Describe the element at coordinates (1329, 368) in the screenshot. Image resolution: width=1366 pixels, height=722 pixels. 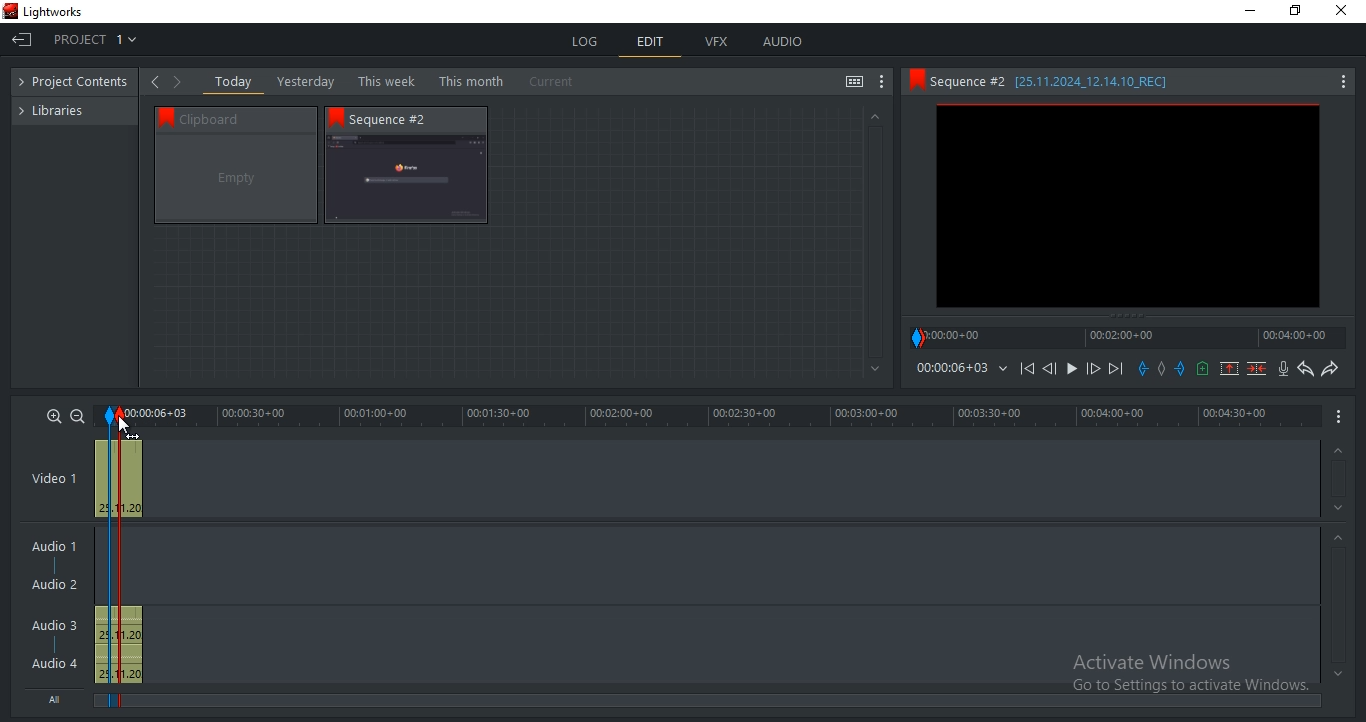
I see `redo` at that location.